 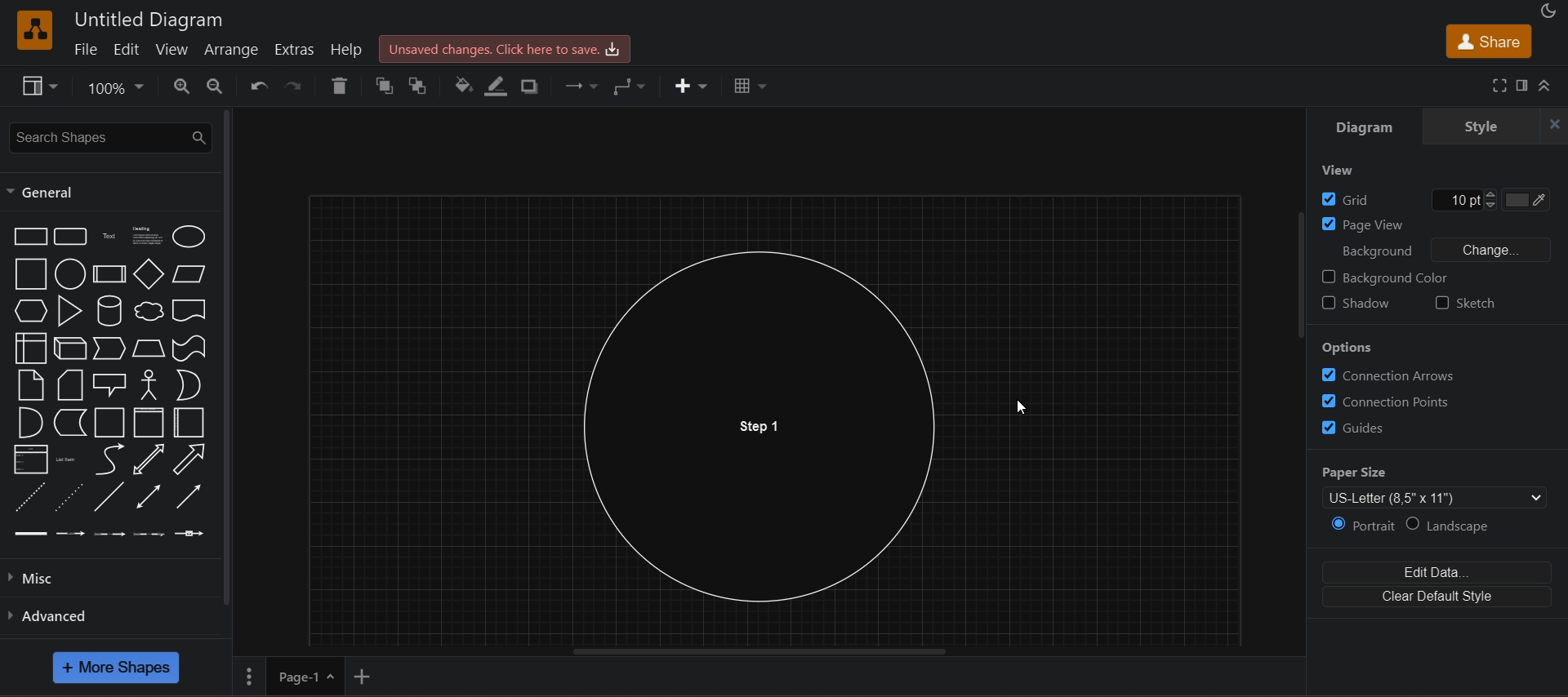 I want to click on triangle, so click(x=73, y=311).